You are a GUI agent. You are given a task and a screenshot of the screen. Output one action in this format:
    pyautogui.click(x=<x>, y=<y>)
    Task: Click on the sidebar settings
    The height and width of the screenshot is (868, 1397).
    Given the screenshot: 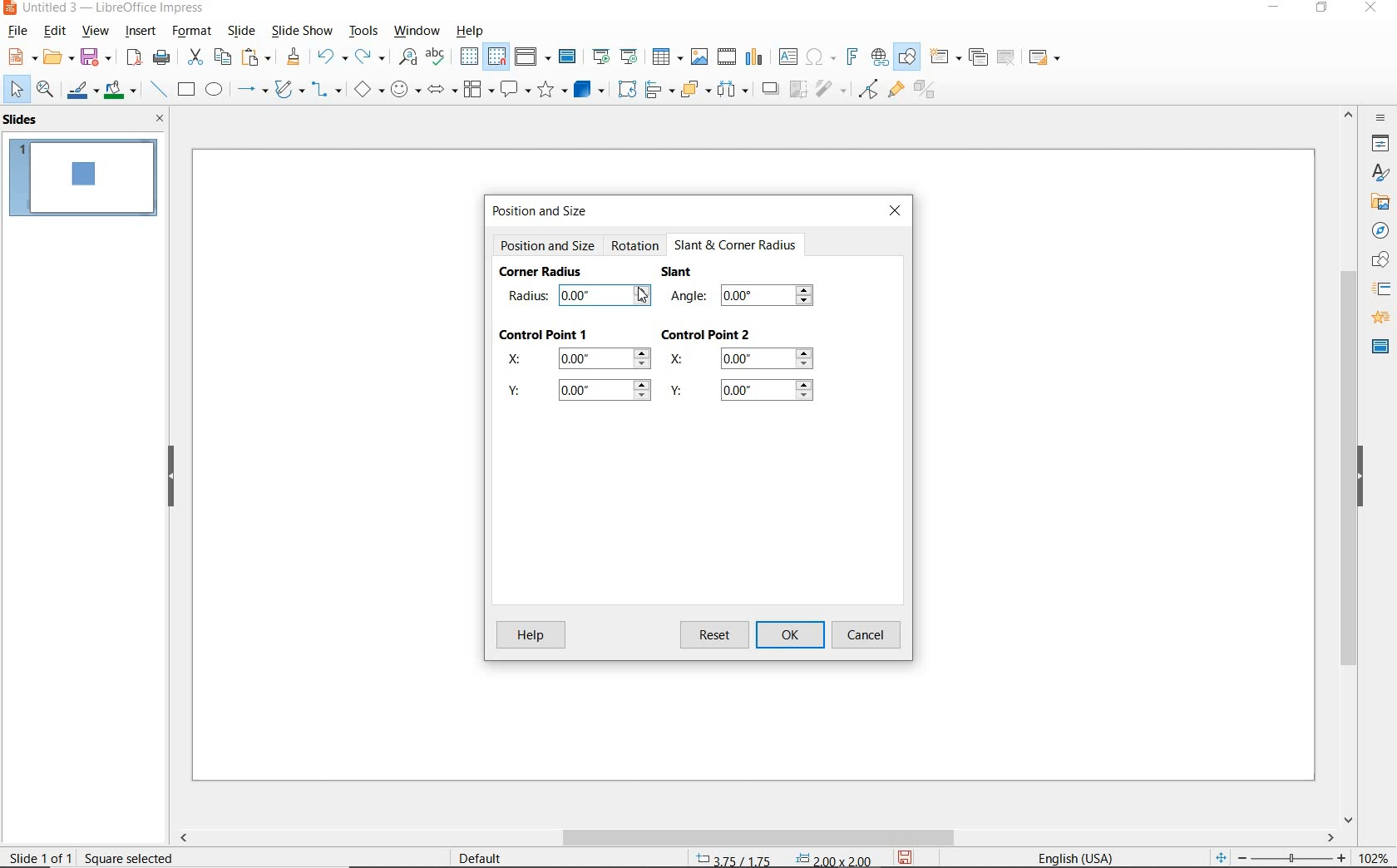 What is the action you would take?
    pyautogui.click(x=1381, y=119)
    